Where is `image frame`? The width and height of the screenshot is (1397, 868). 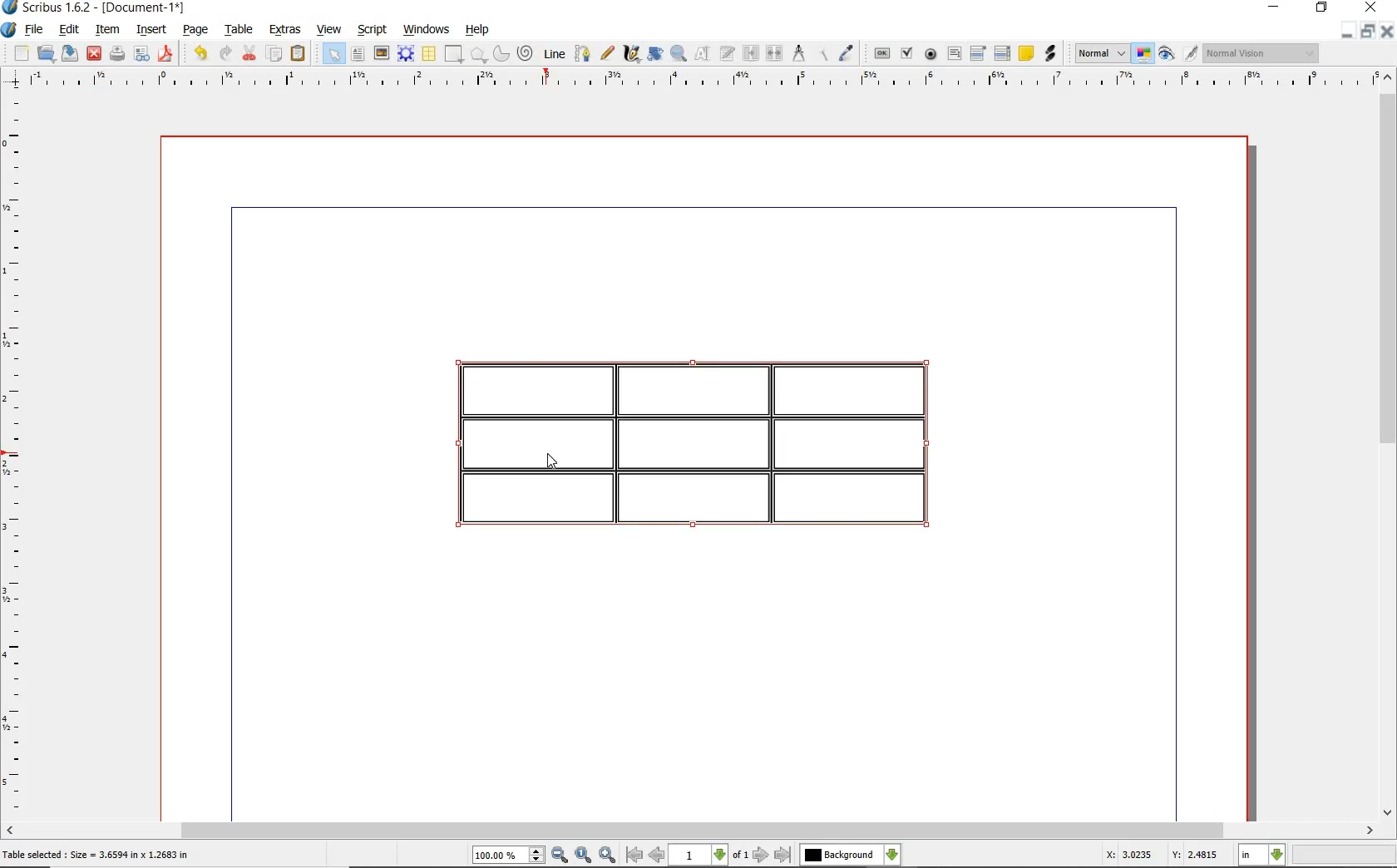
image frame is located at coordinates (382, 54).